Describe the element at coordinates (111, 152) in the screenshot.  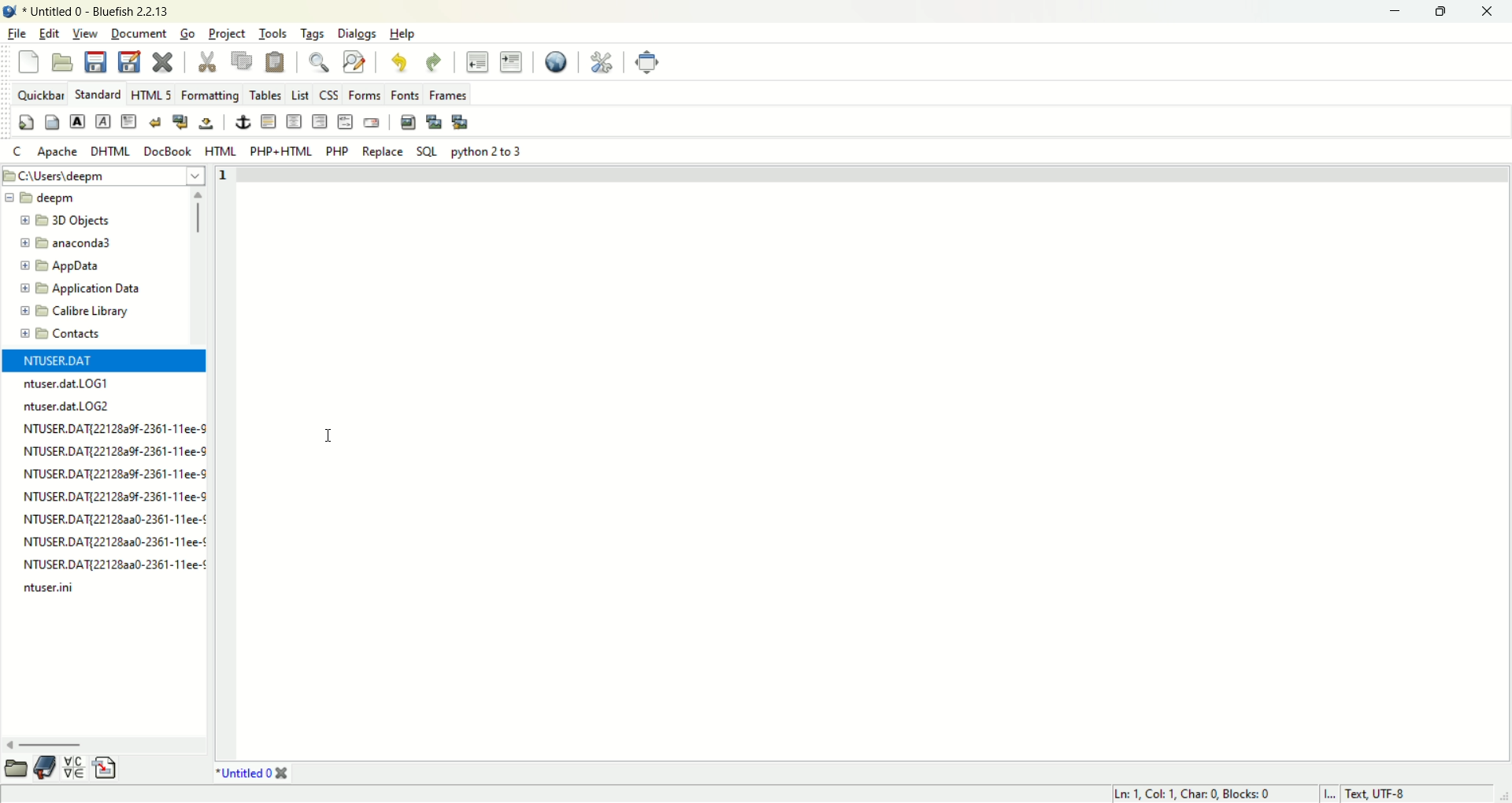
I see `DHTML` at that location.